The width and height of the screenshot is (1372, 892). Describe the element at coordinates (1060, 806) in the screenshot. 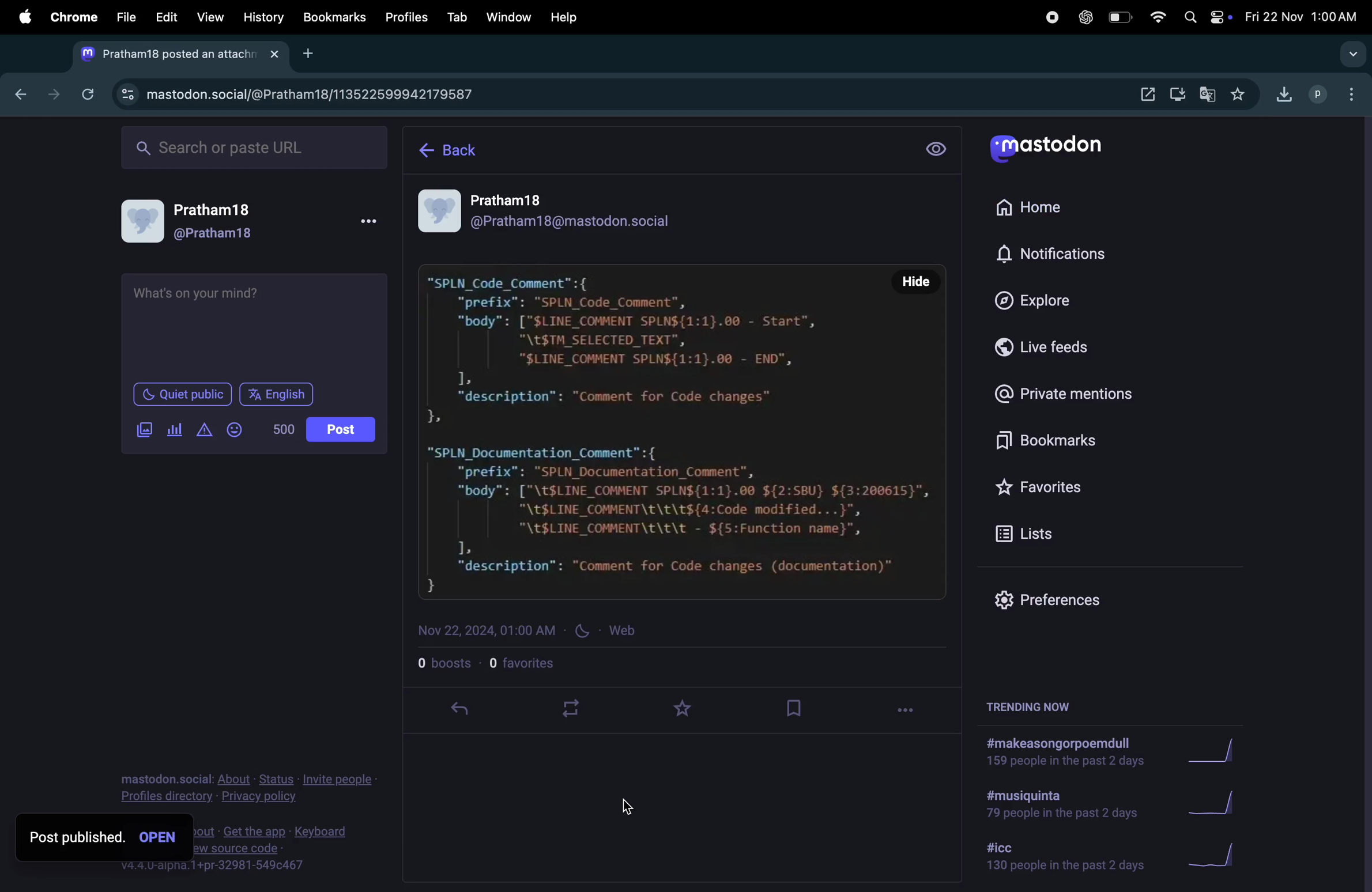

I see `hashtags` at that location.